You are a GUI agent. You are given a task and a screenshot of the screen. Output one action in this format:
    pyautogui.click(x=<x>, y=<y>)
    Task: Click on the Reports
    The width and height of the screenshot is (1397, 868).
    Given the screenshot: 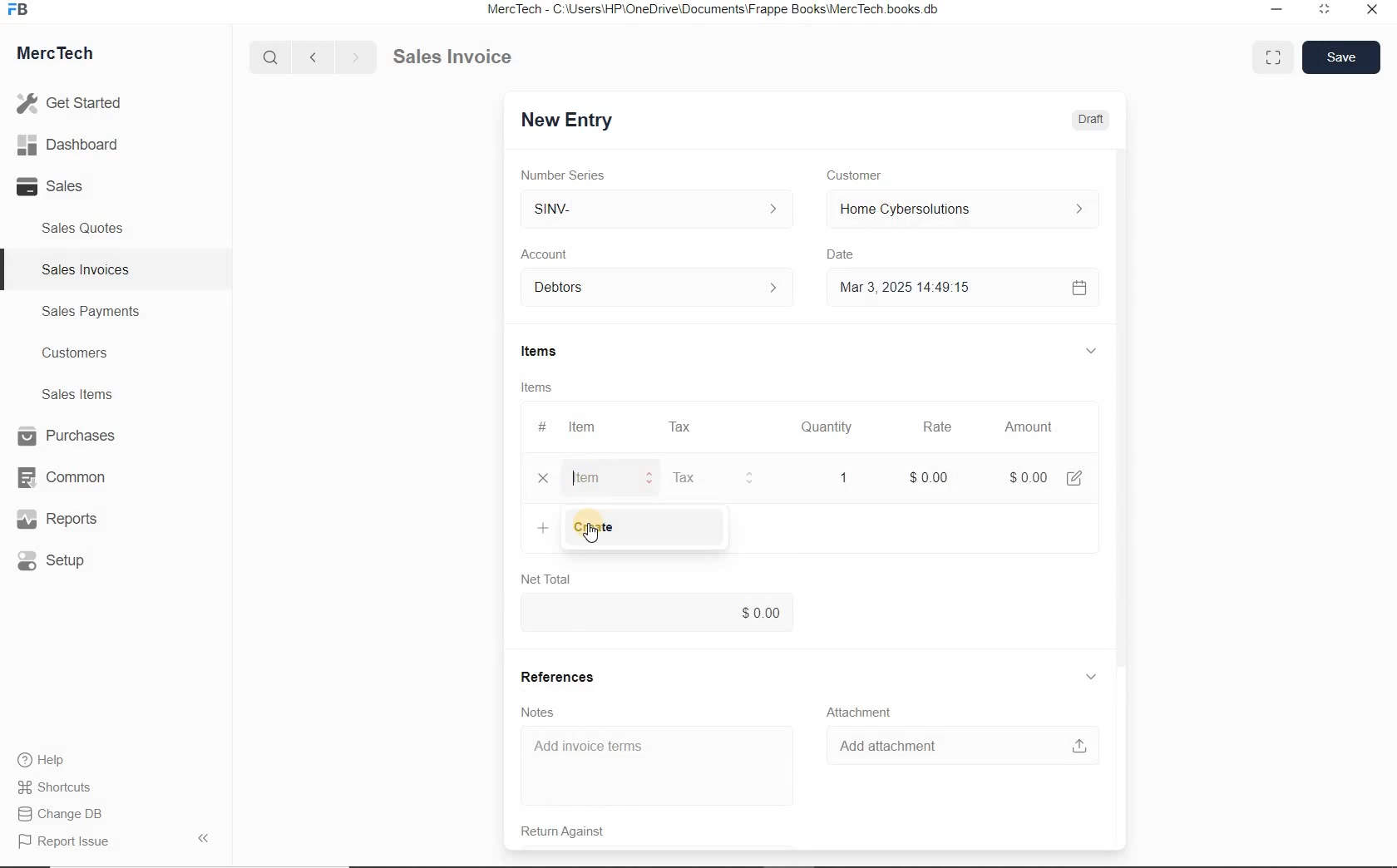 What is the action you would take?
    pyautogui.click(x=70, y=520)
    